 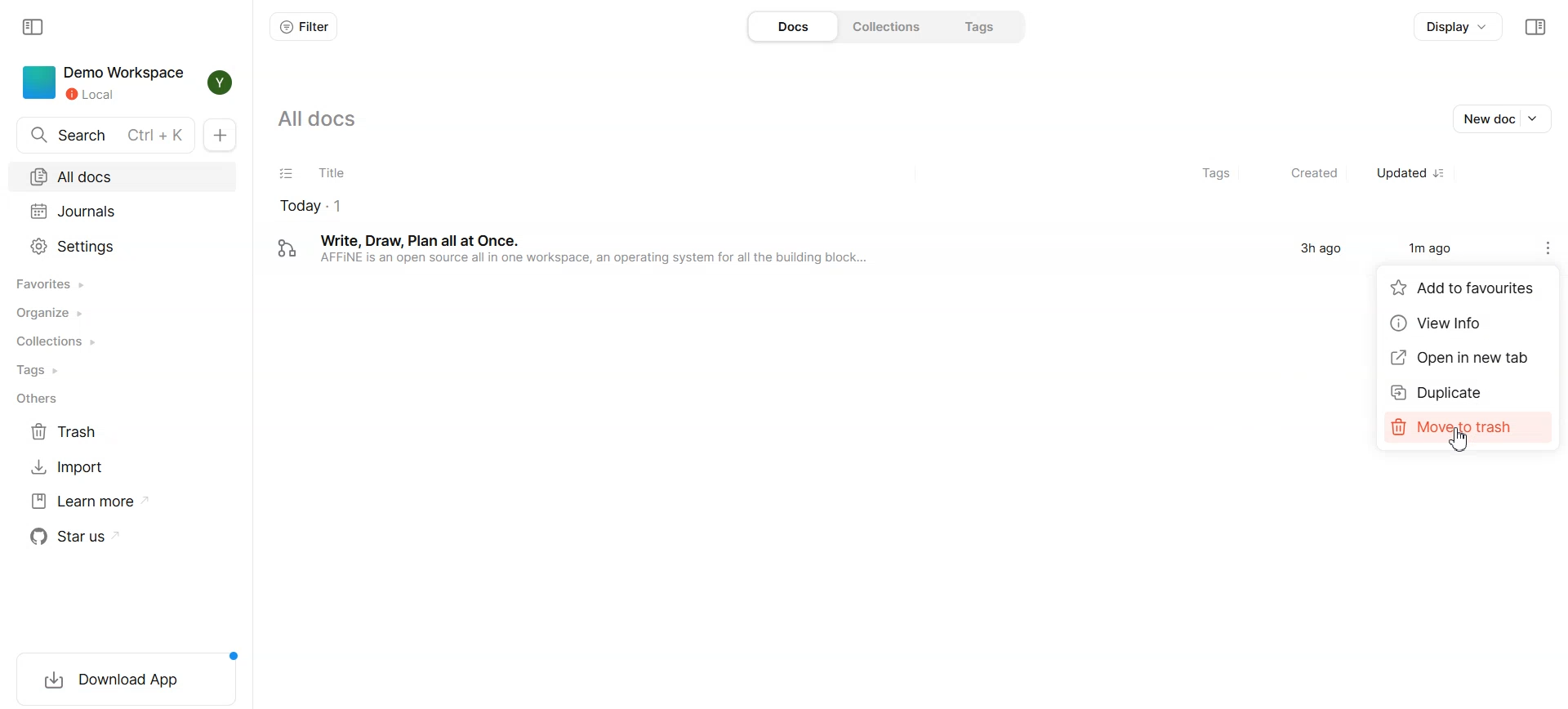 What do you see at coordinates (31, 27) in the screenshot?
I see `Collapse sidebar` at bounding box center [31, 27].